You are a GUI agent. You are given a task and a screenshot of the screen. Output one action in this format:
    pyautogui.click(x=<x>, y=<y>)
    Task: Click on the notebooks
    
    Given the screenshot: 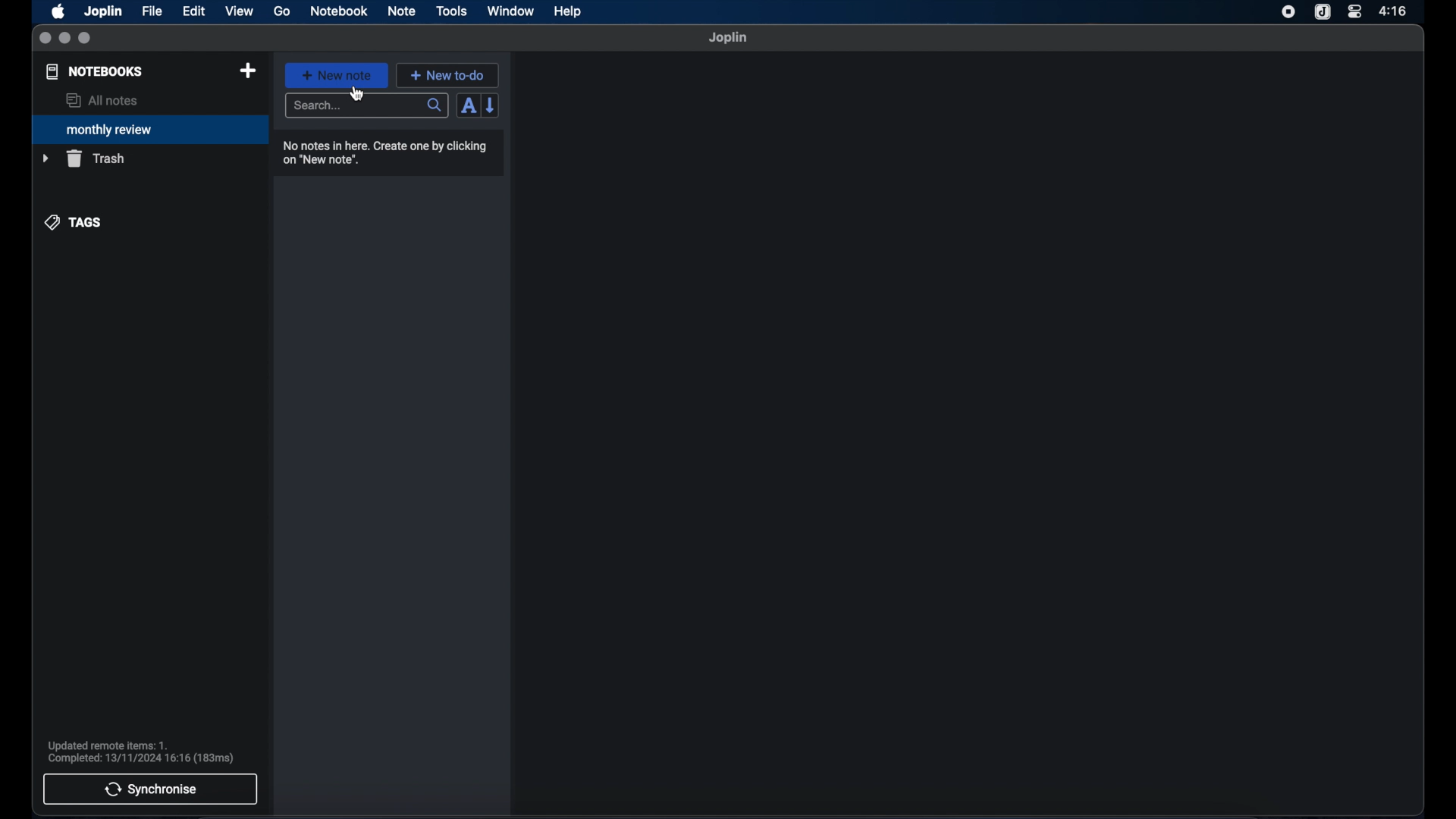 What is the action you would take?
    pyautogui.click(x=95, y=71)
    